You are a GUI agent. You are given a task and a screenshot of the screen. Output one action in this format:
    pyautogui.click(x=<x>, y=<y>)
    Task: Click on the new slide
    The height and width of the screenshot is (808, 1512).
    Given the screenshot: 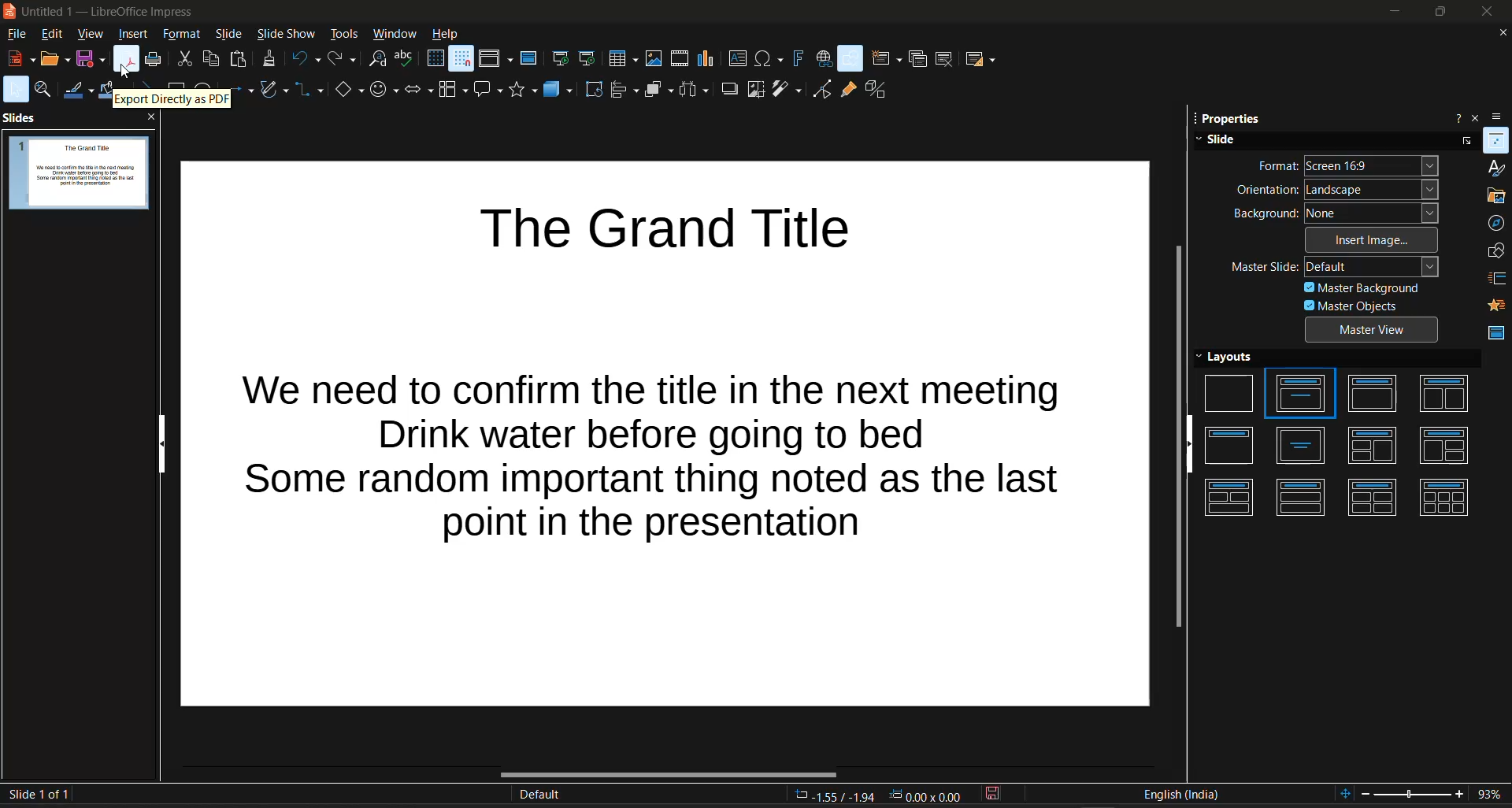 What is the action you would take?
    pyautogui.click(x=885, y=59)
    